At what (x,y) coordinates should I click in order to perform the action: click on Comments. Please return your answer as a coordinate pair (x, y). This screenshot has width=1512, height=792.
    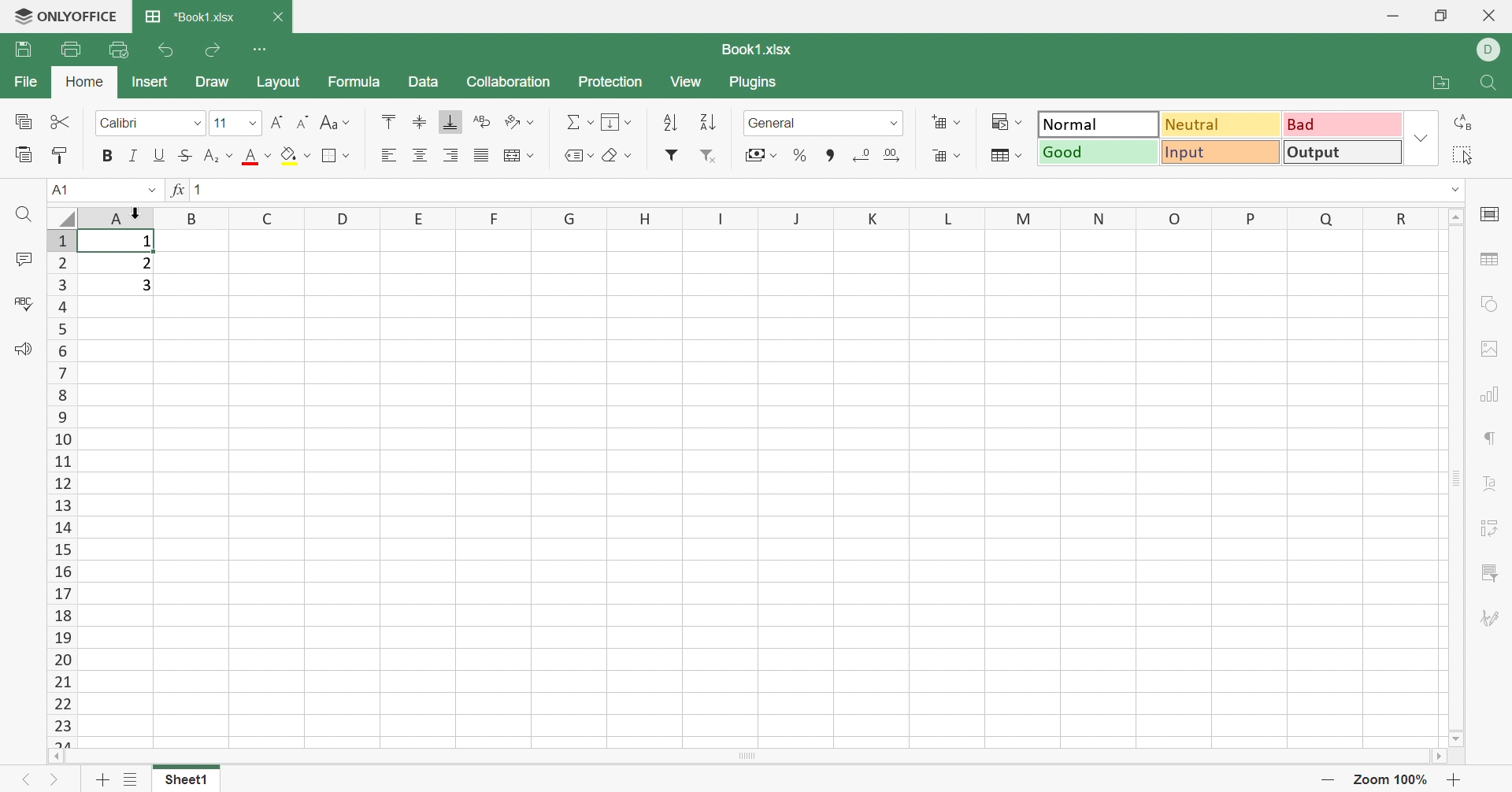
    Looking at the image, I should click on (23, 261).